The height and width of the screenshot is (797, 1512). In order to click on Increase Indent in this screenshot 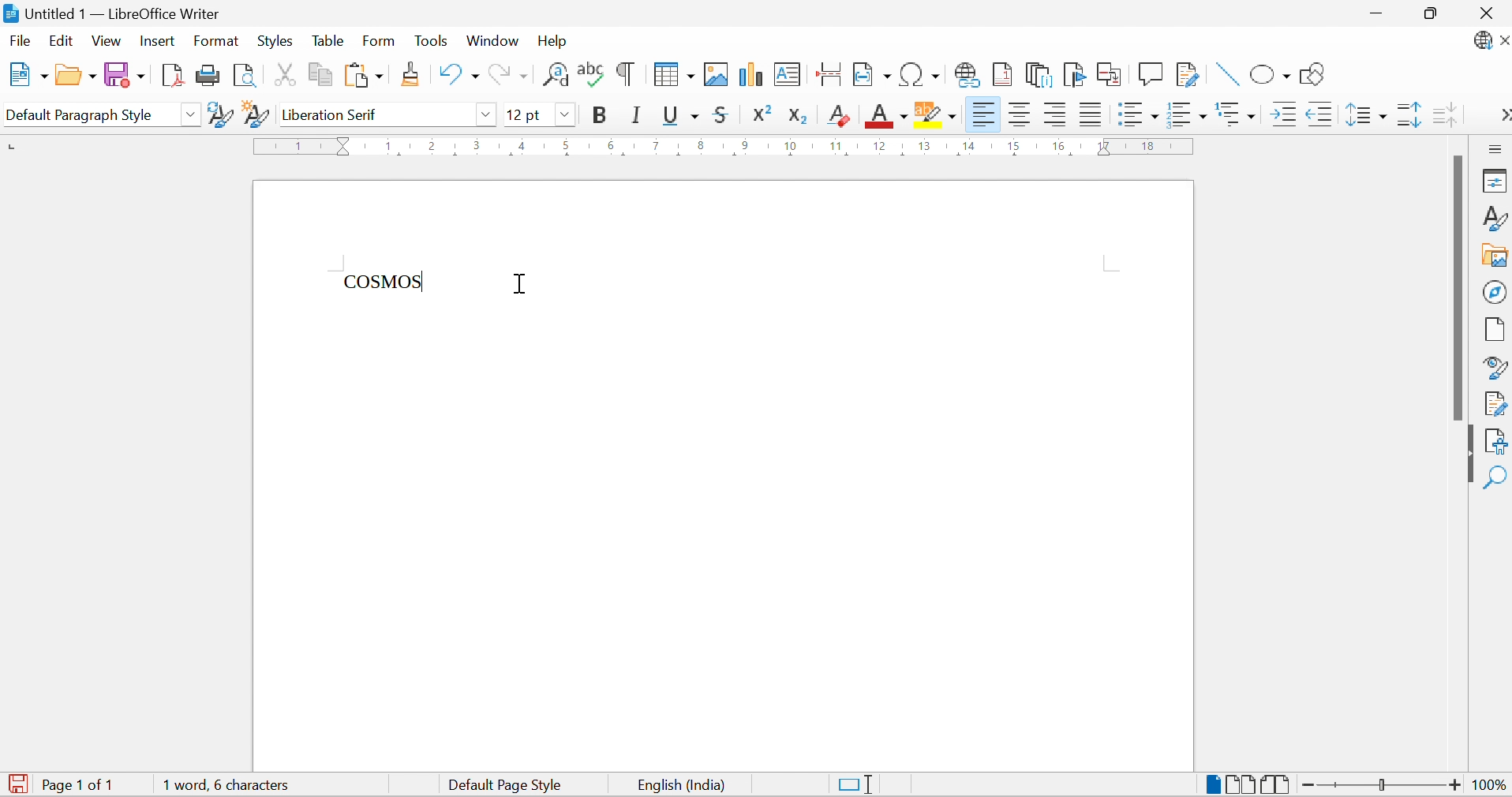, I will do `click(1281, 114)`.